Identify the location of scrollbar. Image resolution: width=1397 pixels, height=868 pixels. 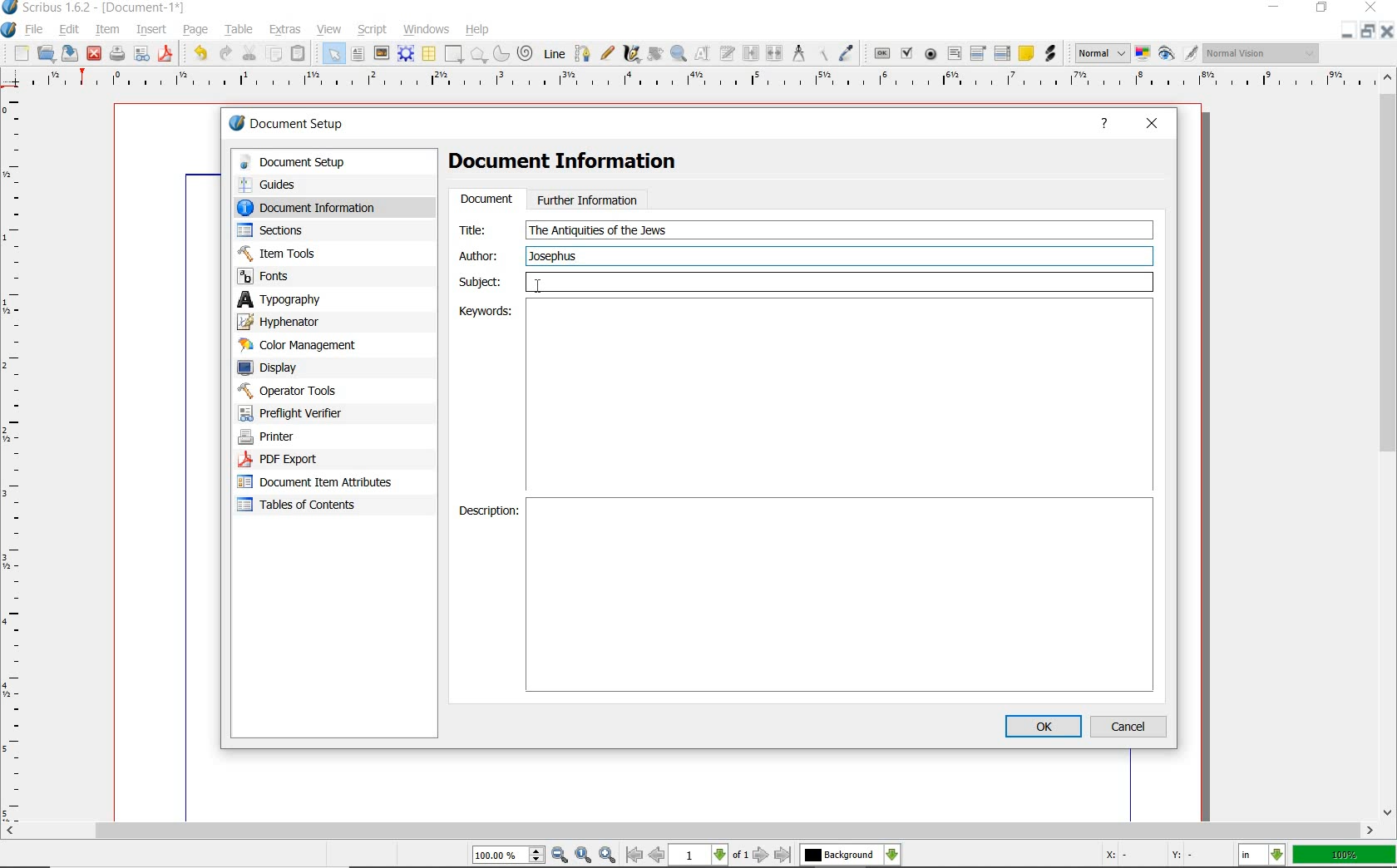
(1389, 446).